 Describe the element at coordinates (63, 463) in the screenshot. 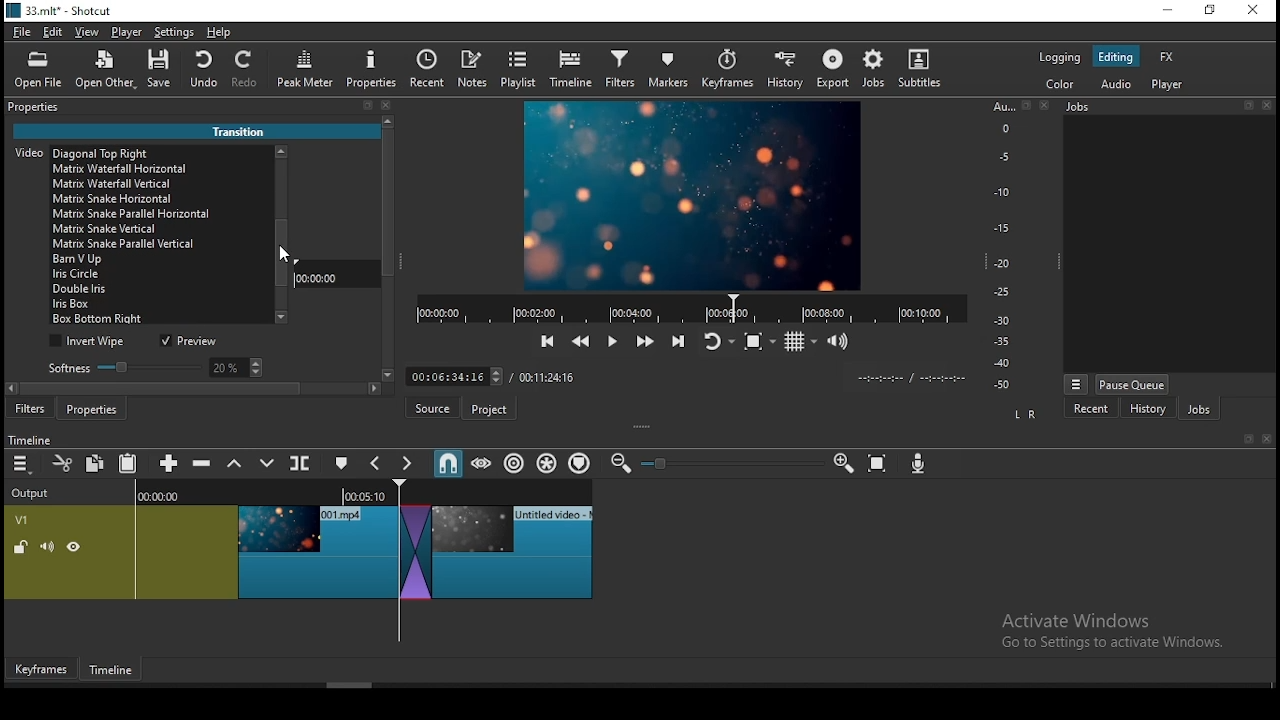

I see `cut` at that location.